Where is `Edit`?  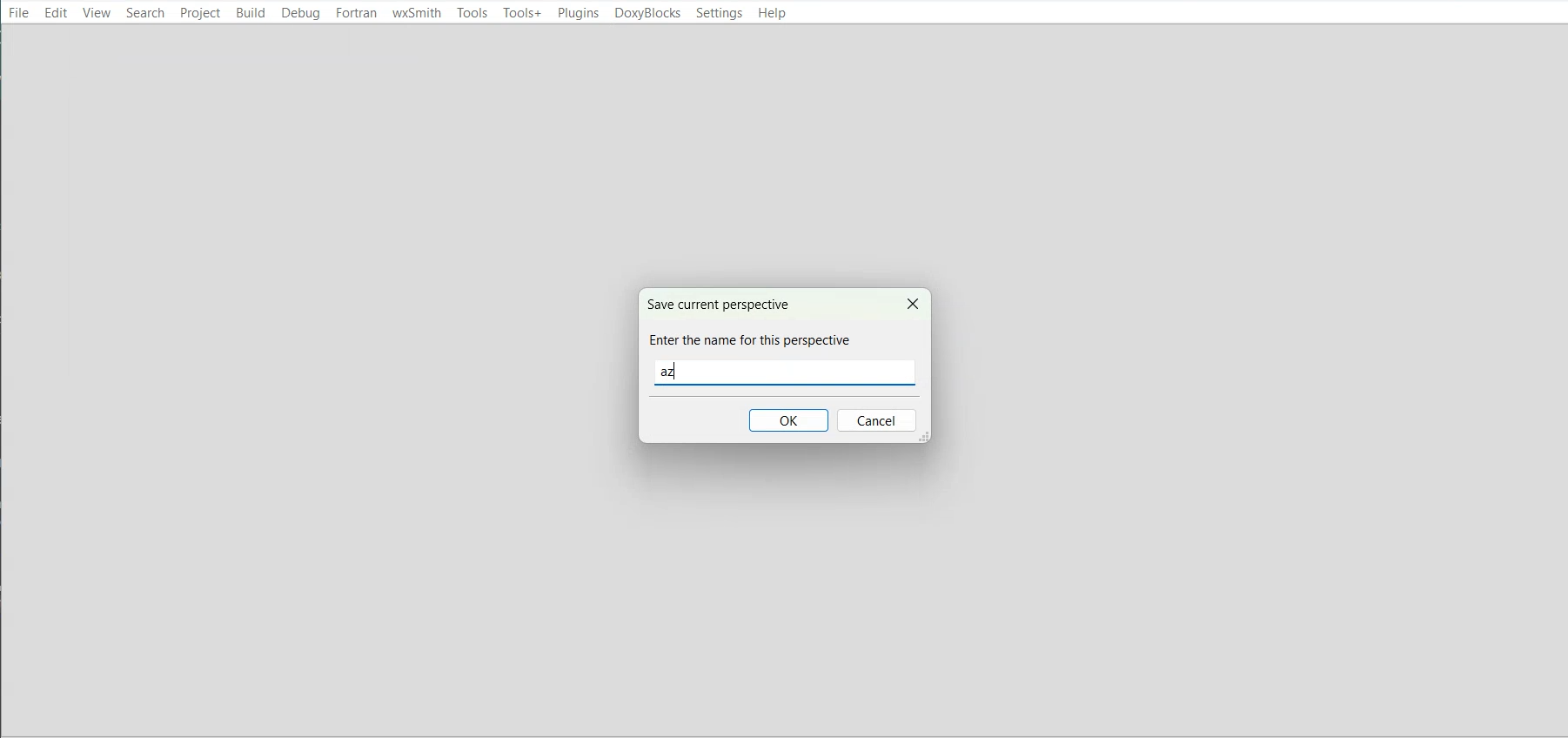 Edit is located at coordinates (56, 12).